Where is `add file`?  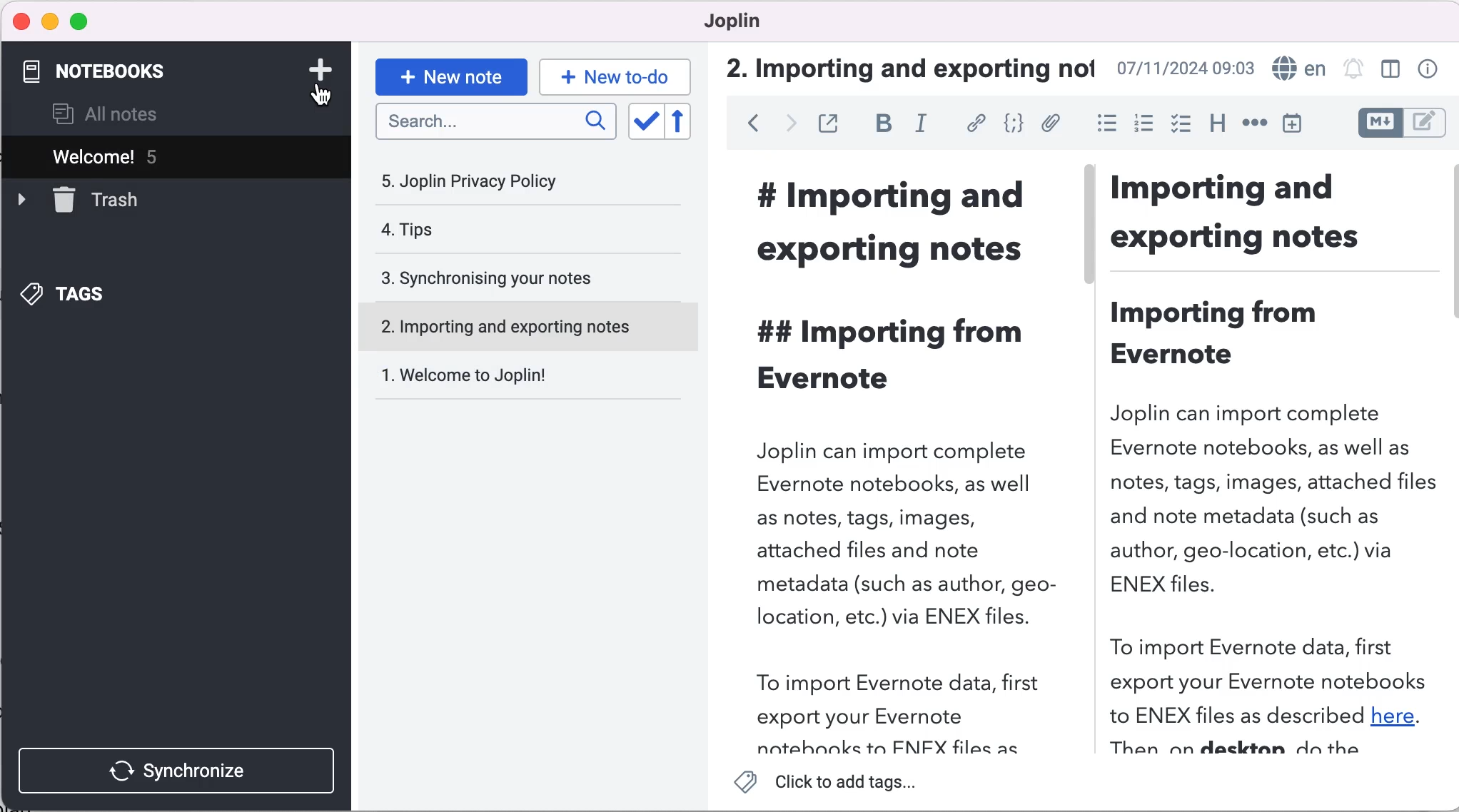
add file is located at coordinates (1051, 126).